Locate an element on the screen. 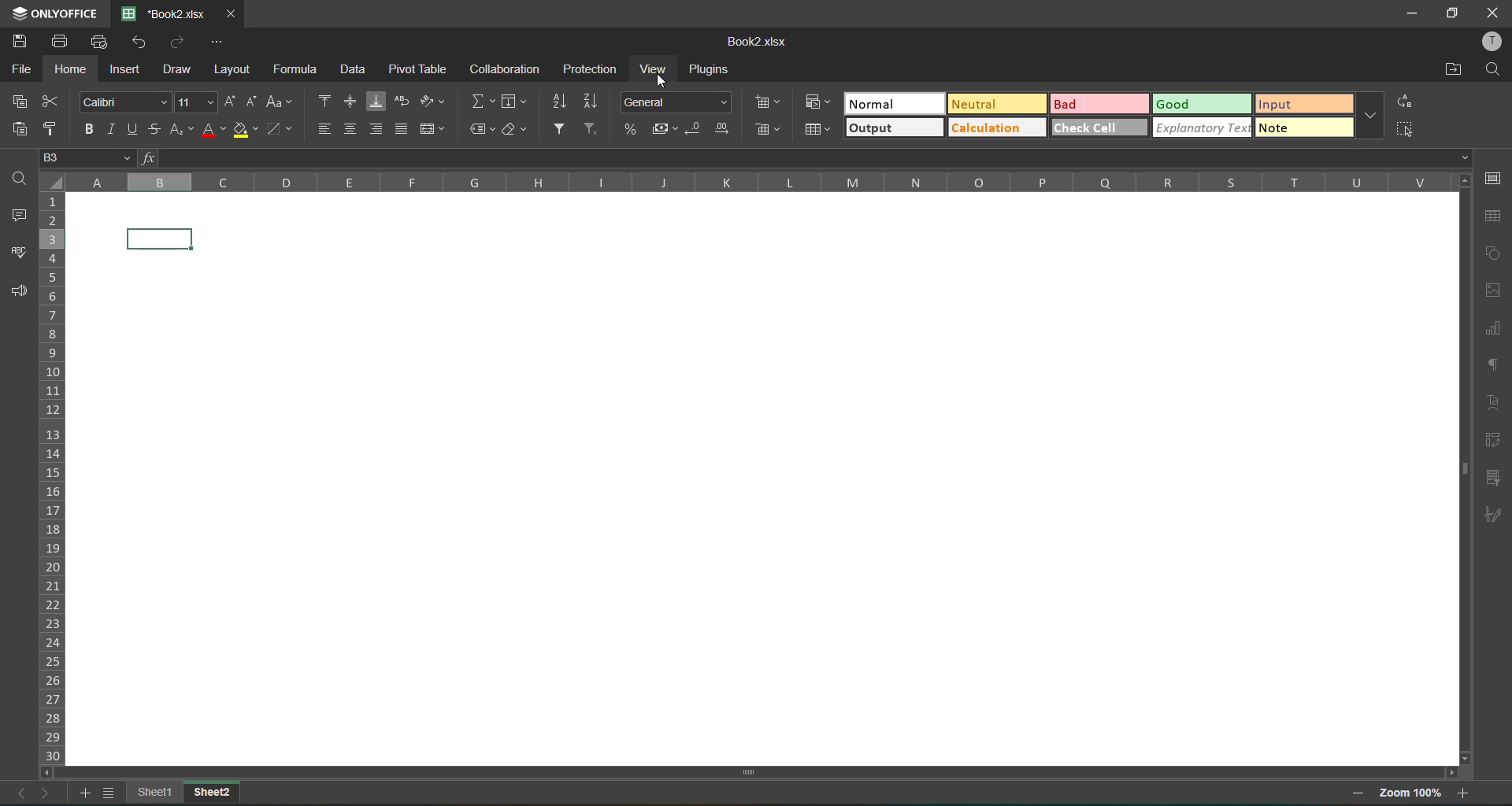  table is located at coordinates (1492, 217).